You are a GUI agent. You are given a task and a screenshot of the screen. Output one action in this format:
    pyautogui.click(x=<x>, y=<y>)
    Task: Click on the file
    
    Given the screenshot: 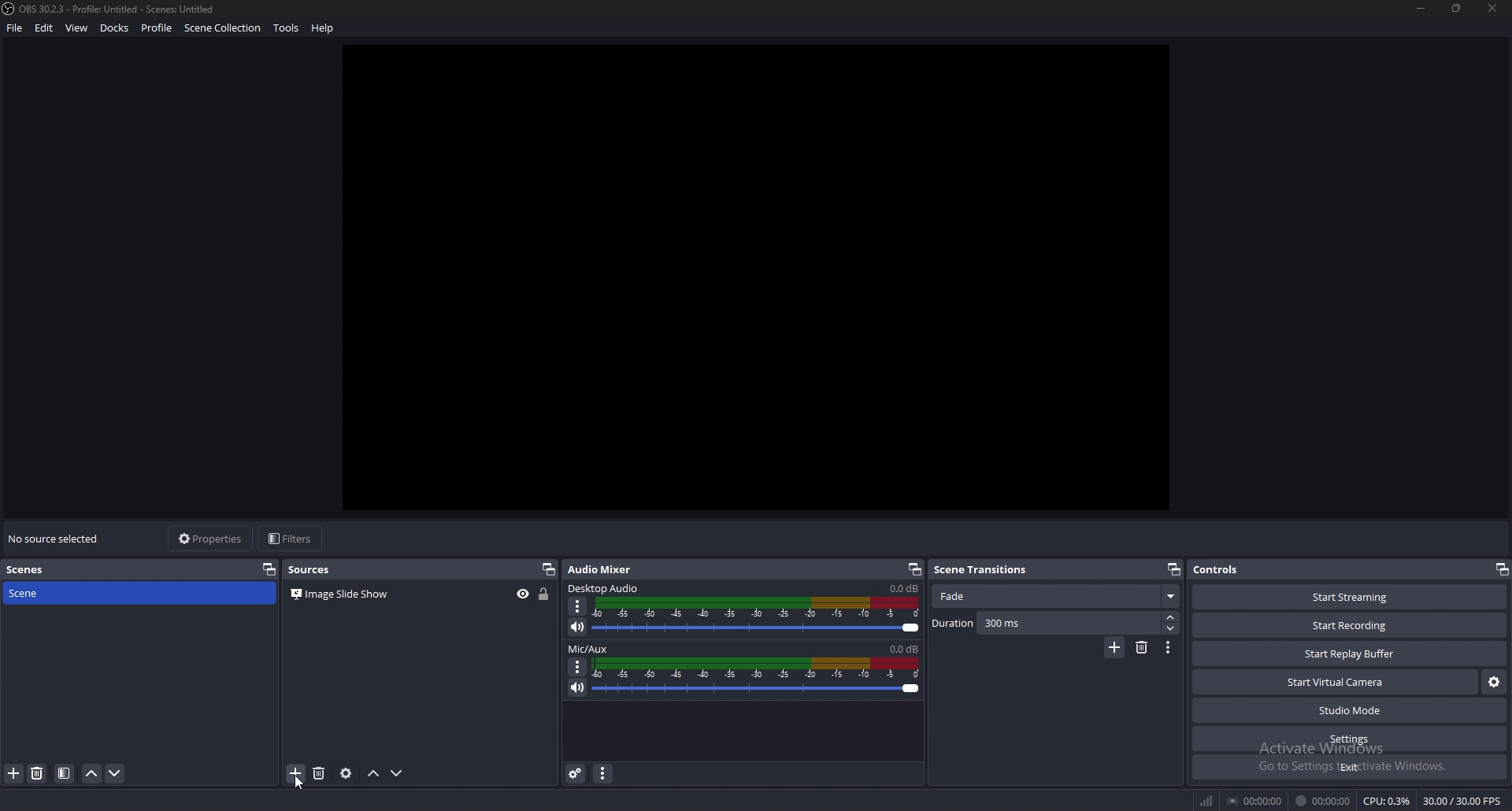 What is the action you would take?
    pyautogui.click(x=15, y=28)
    